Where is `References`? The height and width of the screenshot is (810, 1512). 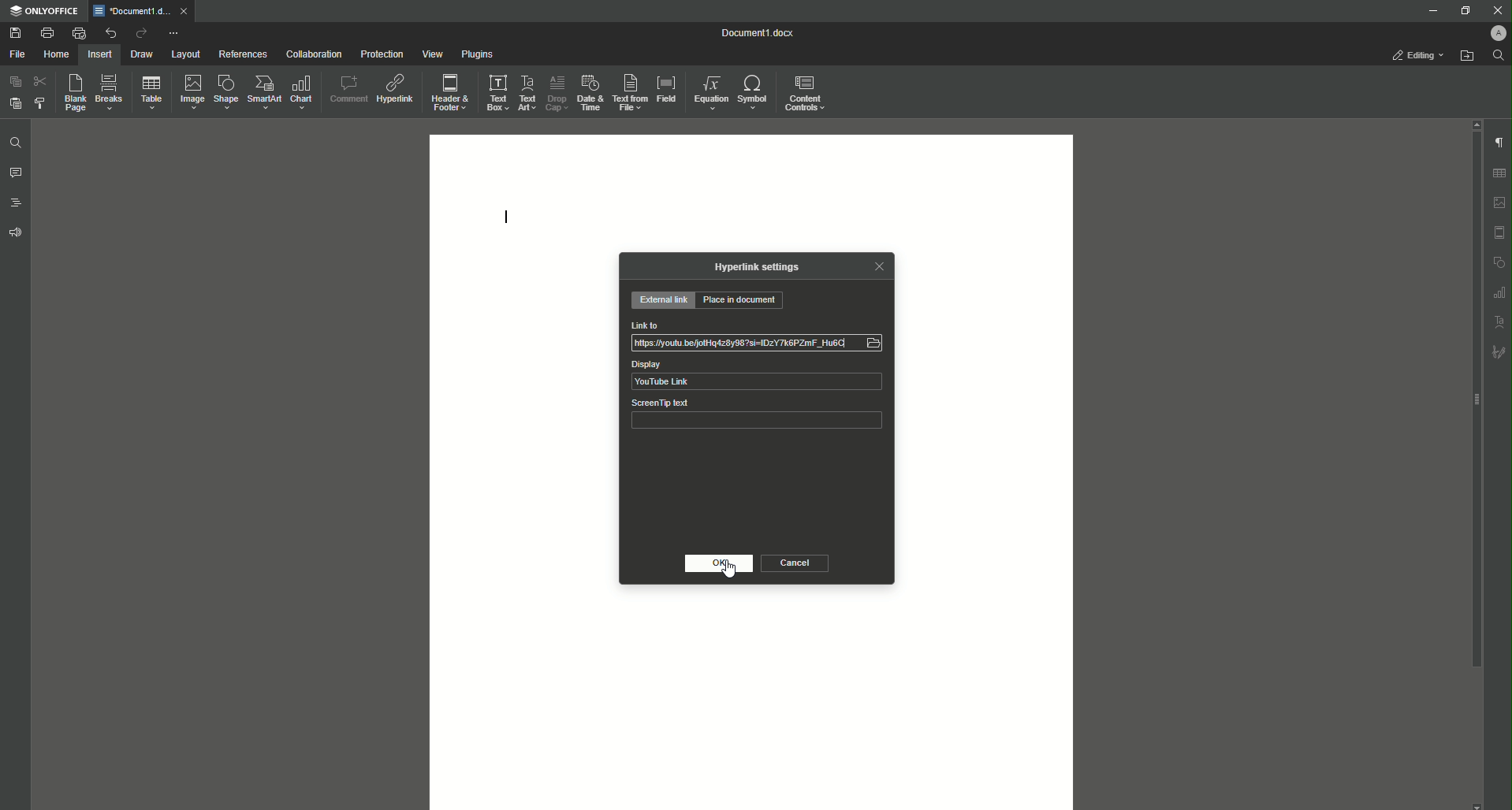 References is located at coordinates (243, 54).